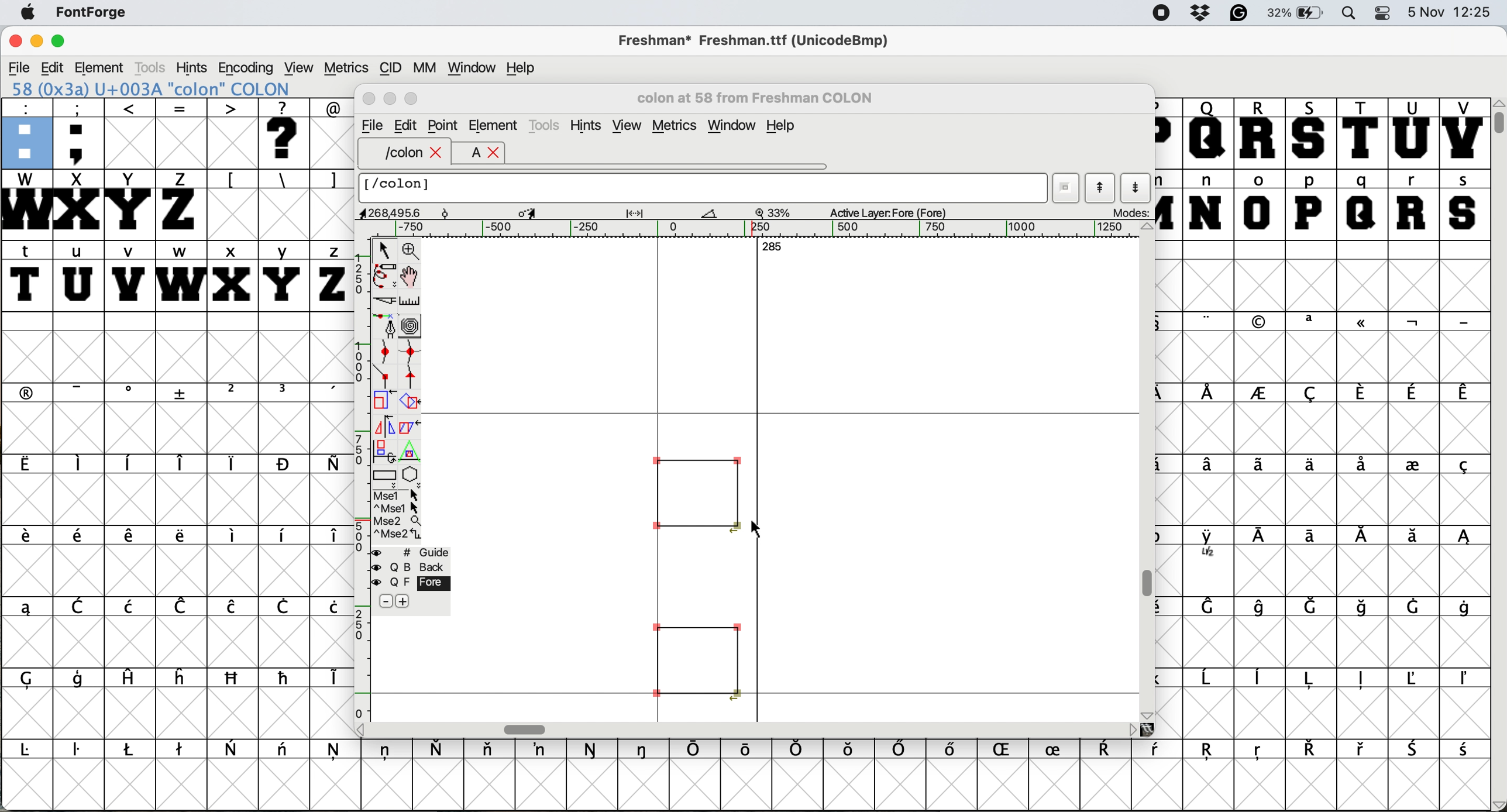  Describe the element at coordinates (705, 188) in the screenshot. I see `glyph name` at that location.